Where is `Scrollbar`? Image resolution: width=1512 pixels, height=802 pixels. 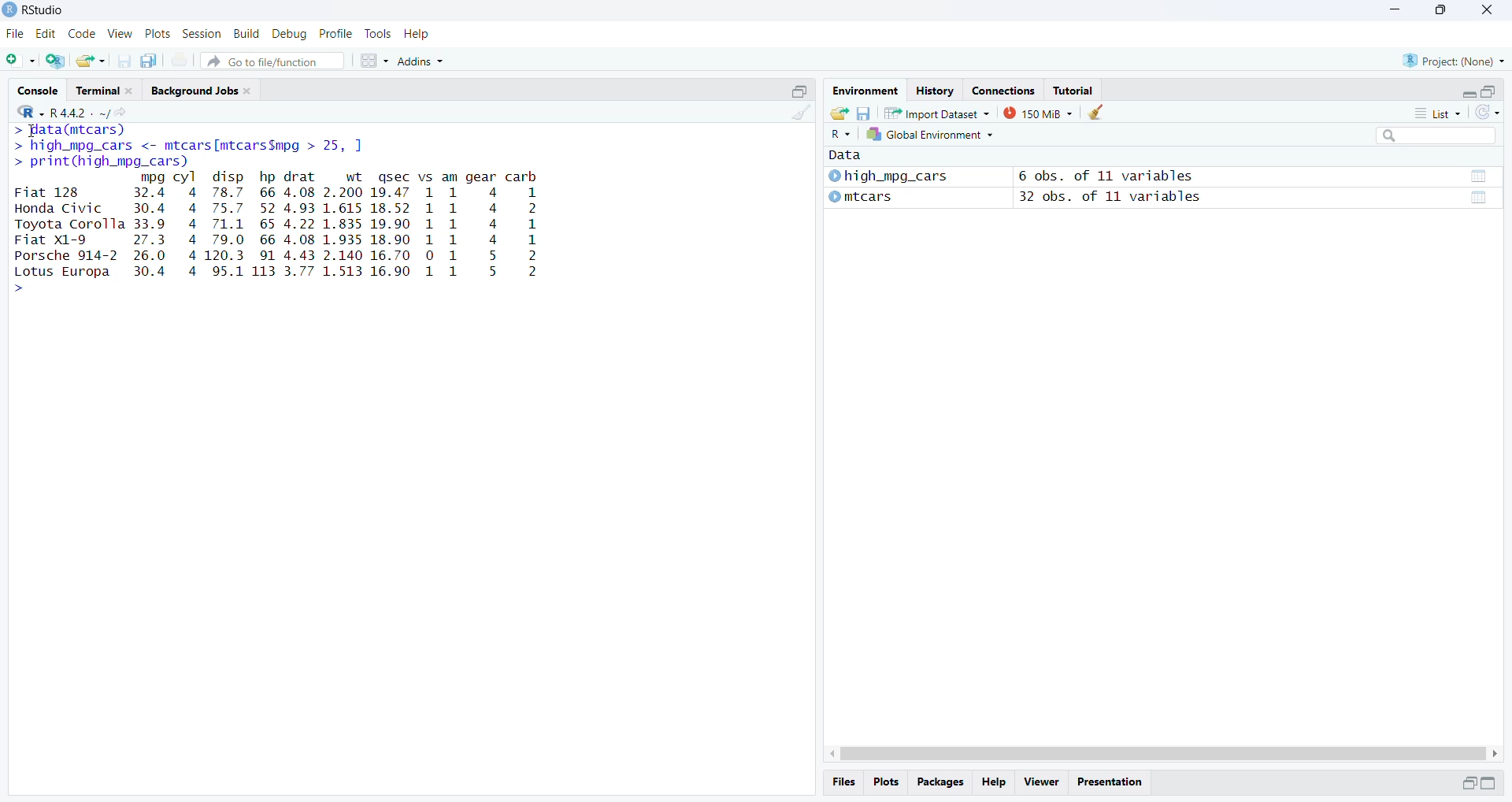 Scrollbar is located at coordinates (1163, 754).